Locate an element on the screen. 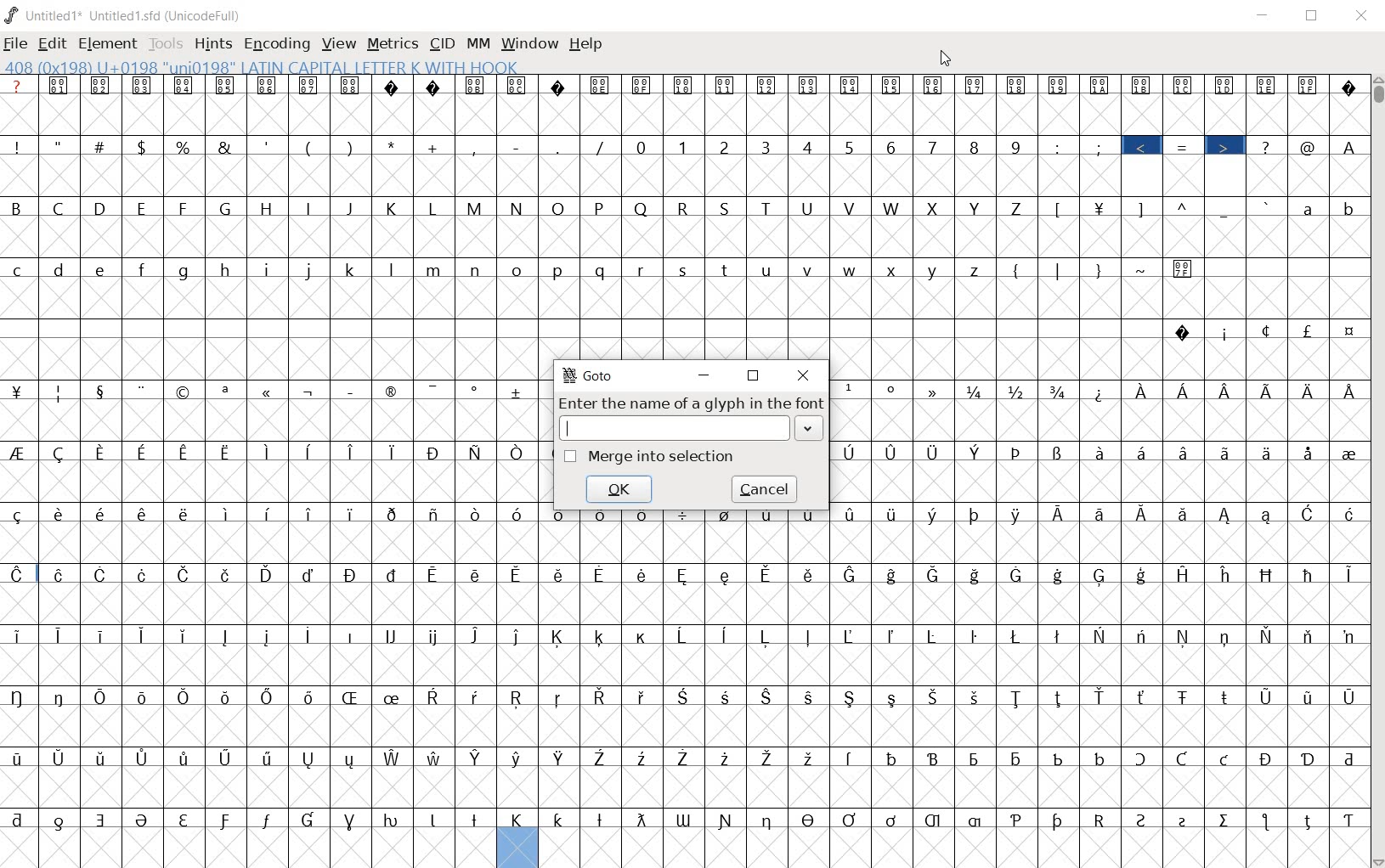 This screenshot has width=1385, height=868. special letters is located at coordinates (688, 634).